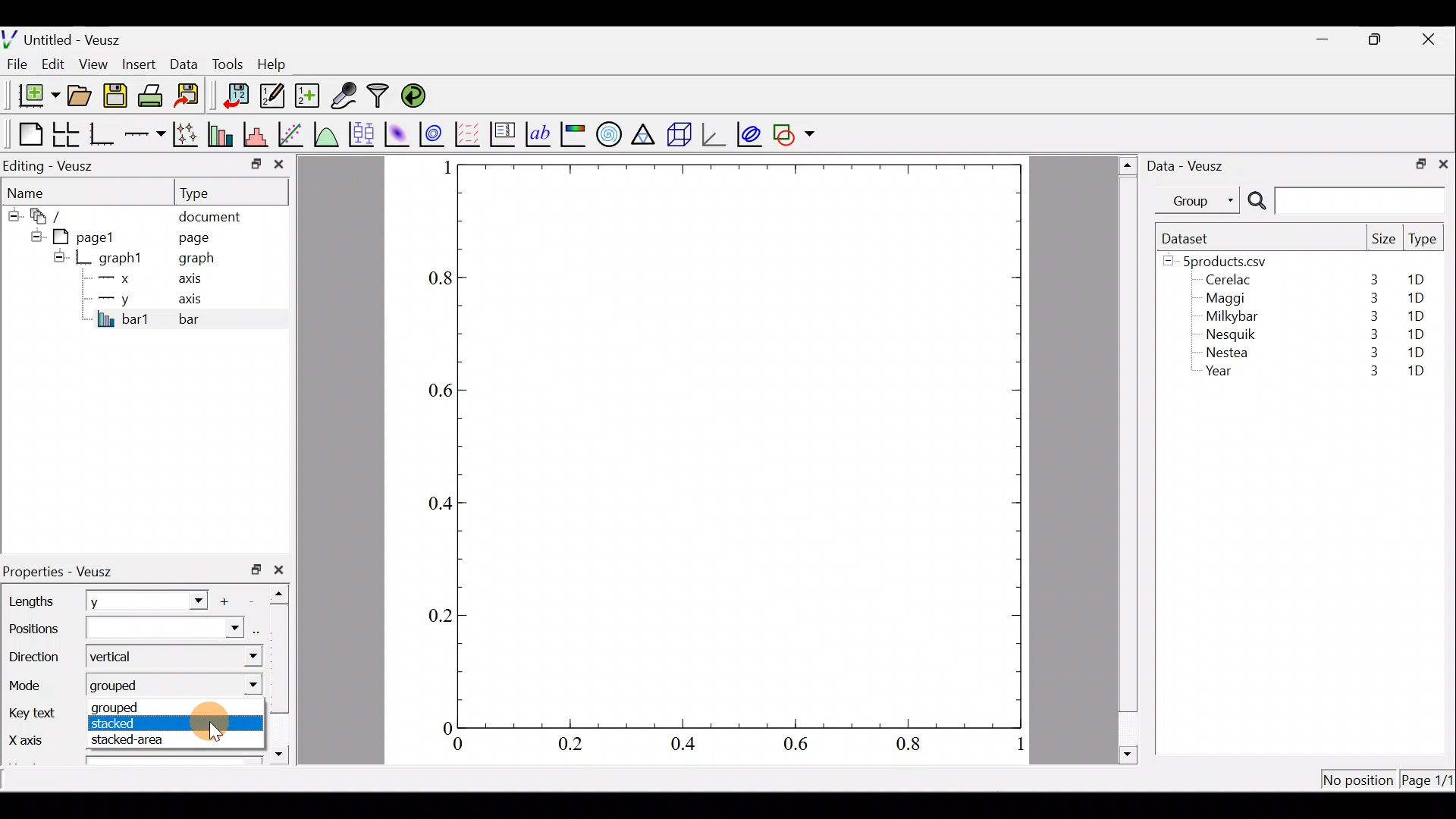 The image size is (1456, 819). I want to click on 1D, so click(1415, 298).